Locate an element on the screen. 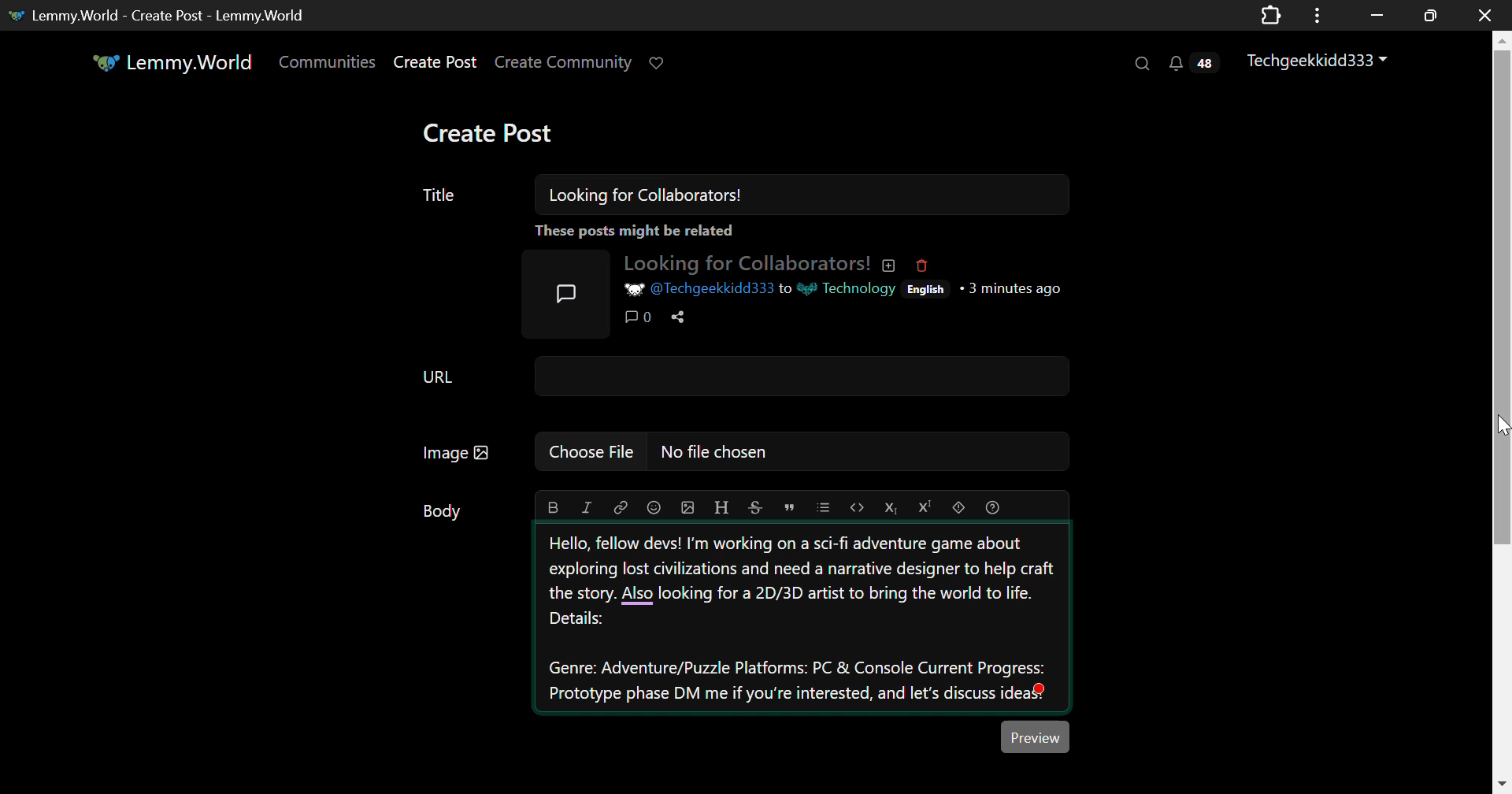 Image resolution: width=1512 pixels, height=794 pixels. code is located at coordinates (858, 507).